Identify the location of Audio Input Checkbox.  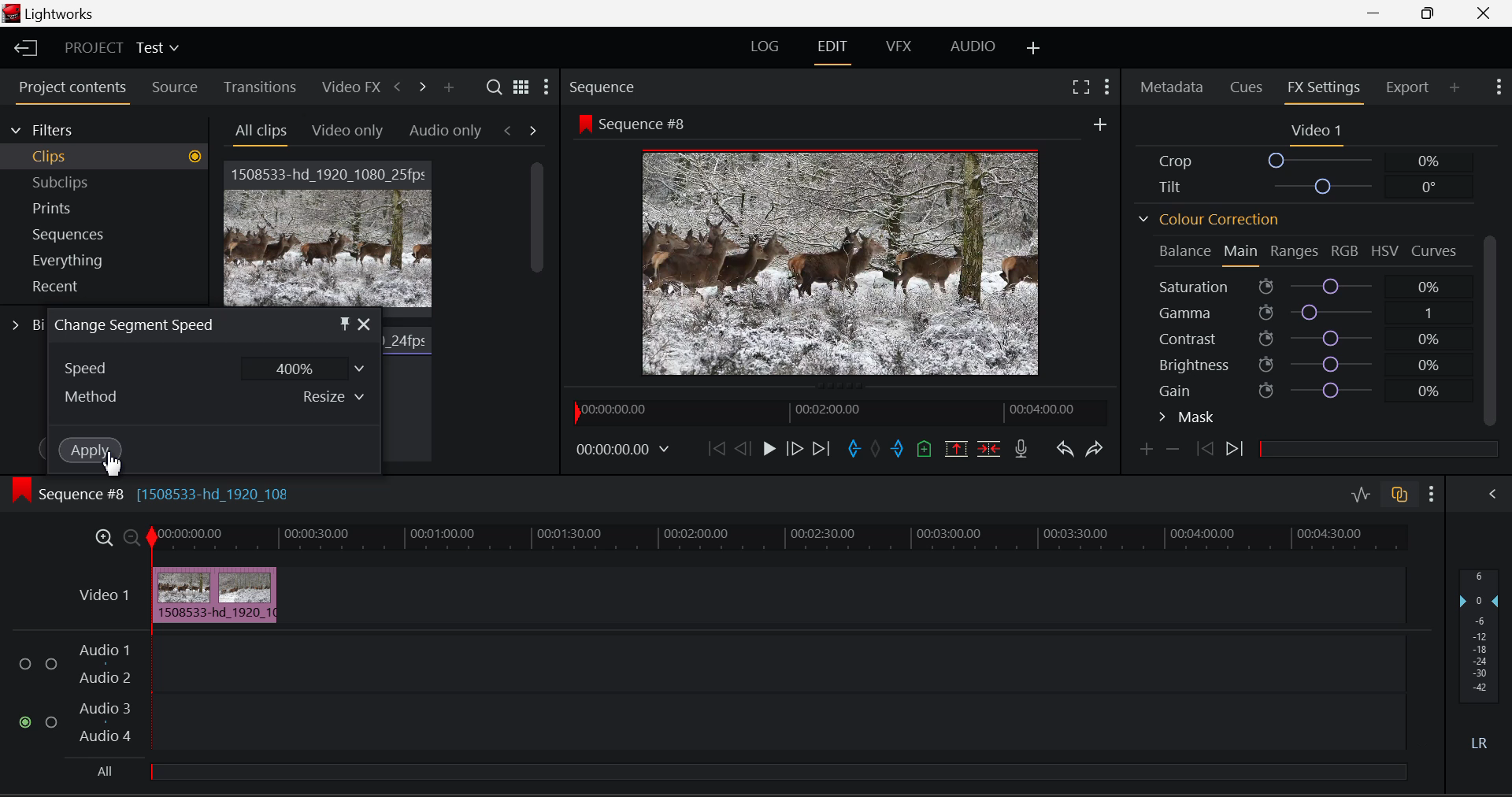
(24, 665).